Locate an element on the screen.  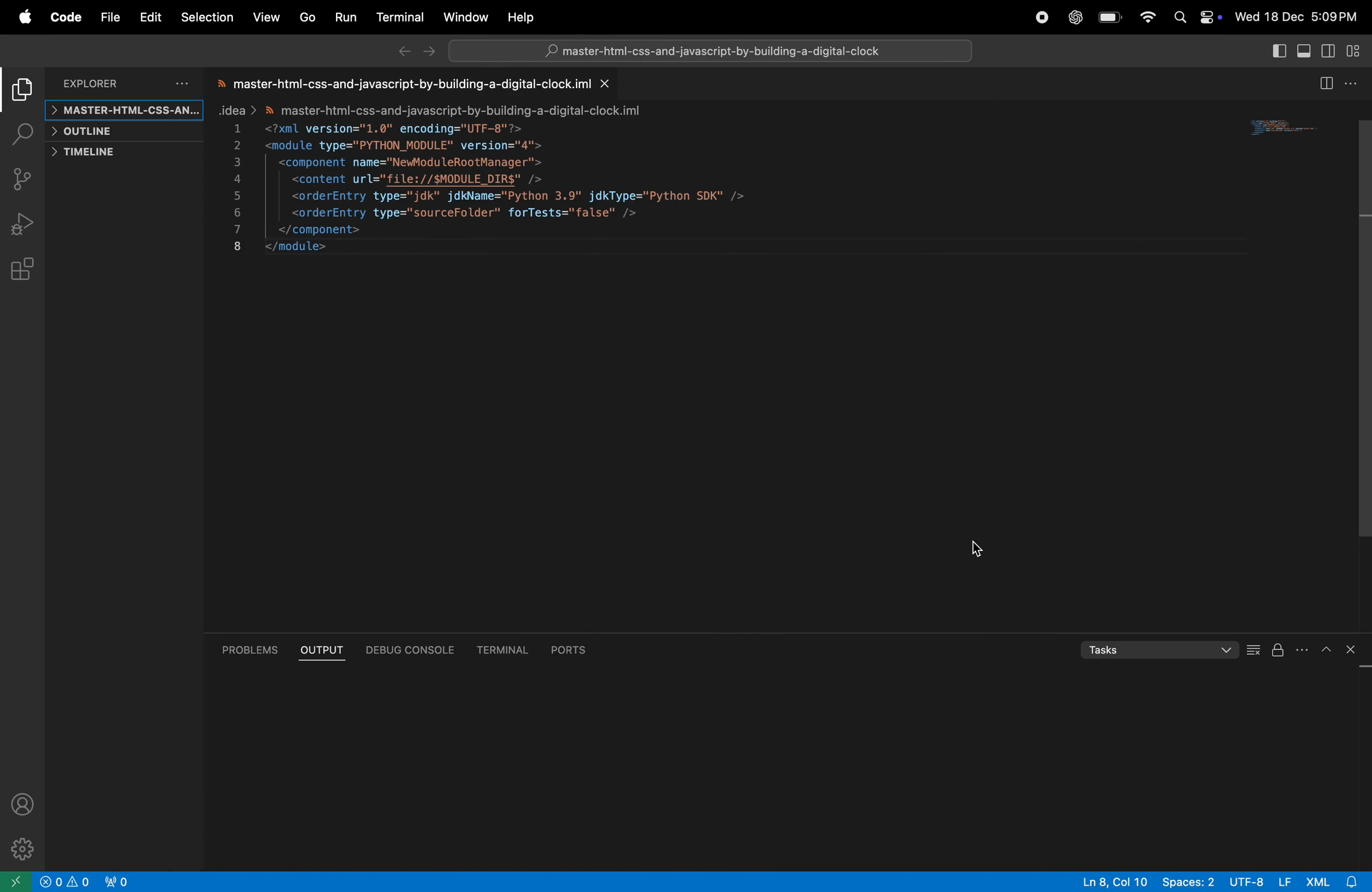
help is located at coordinates (522, 18).